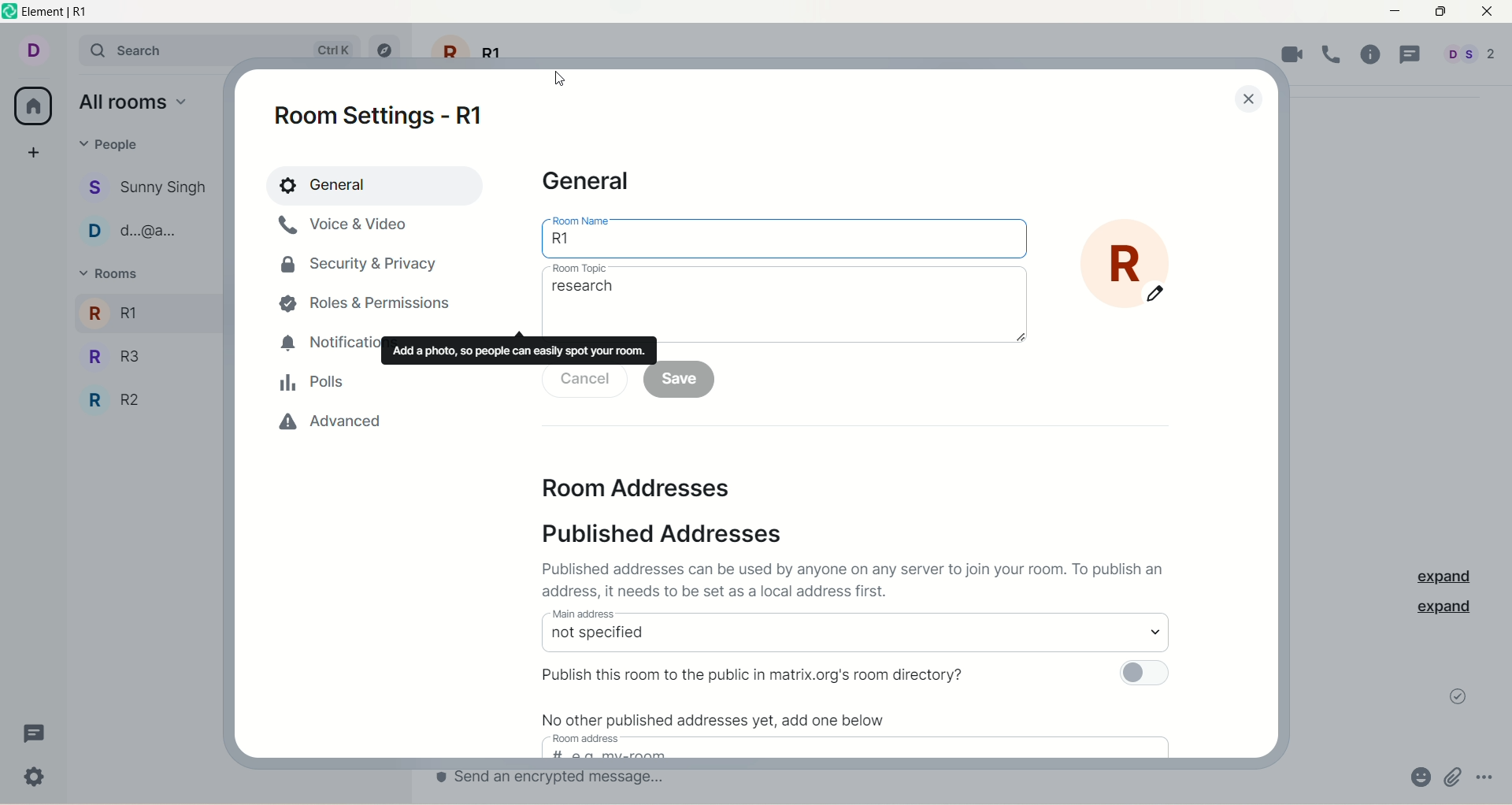 This screenshot has width=1512, height=805. I want to click on text, so click(722, 724).